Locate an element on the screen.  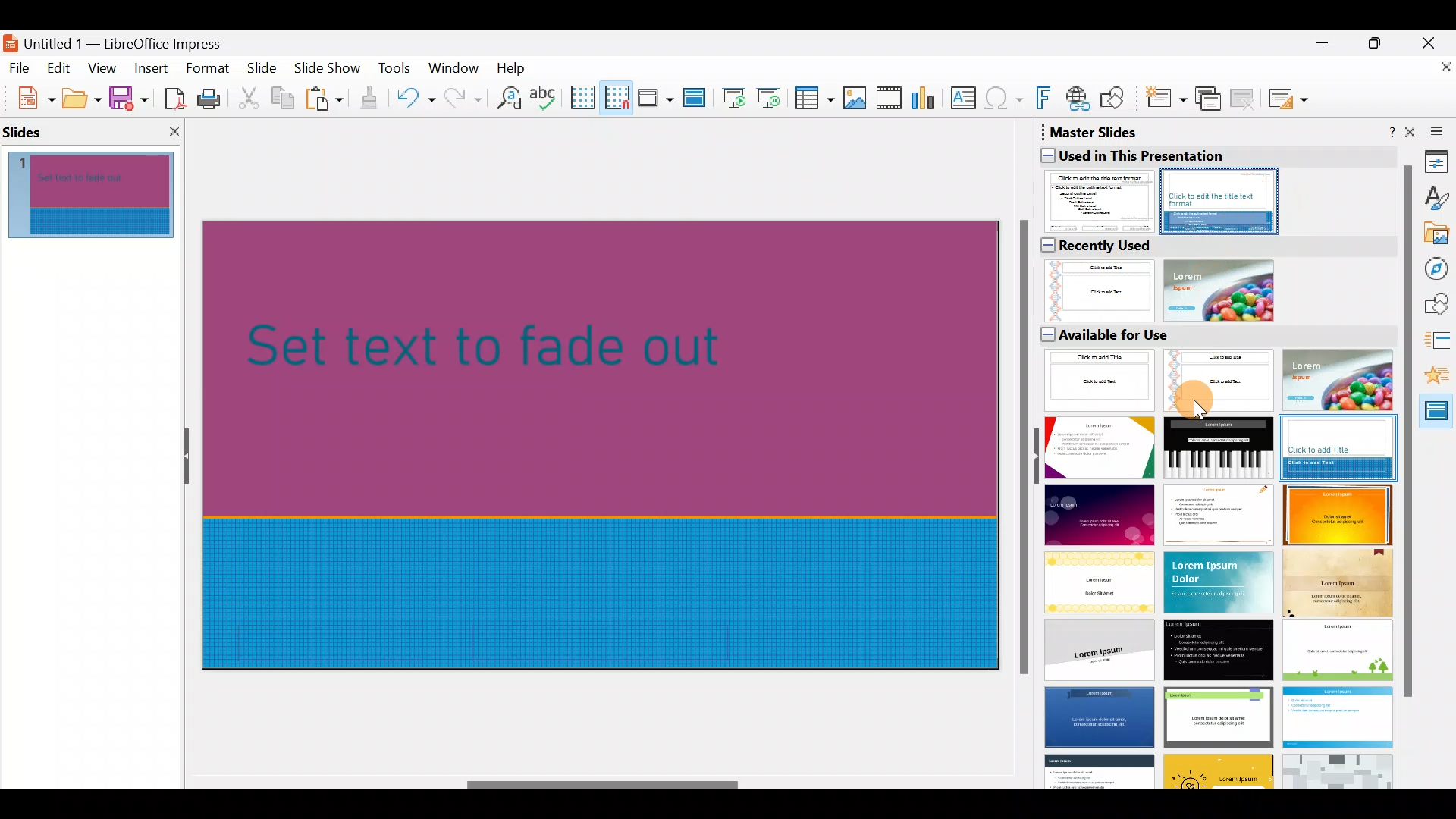
Start from current slide is located at coordinates (773, 97).